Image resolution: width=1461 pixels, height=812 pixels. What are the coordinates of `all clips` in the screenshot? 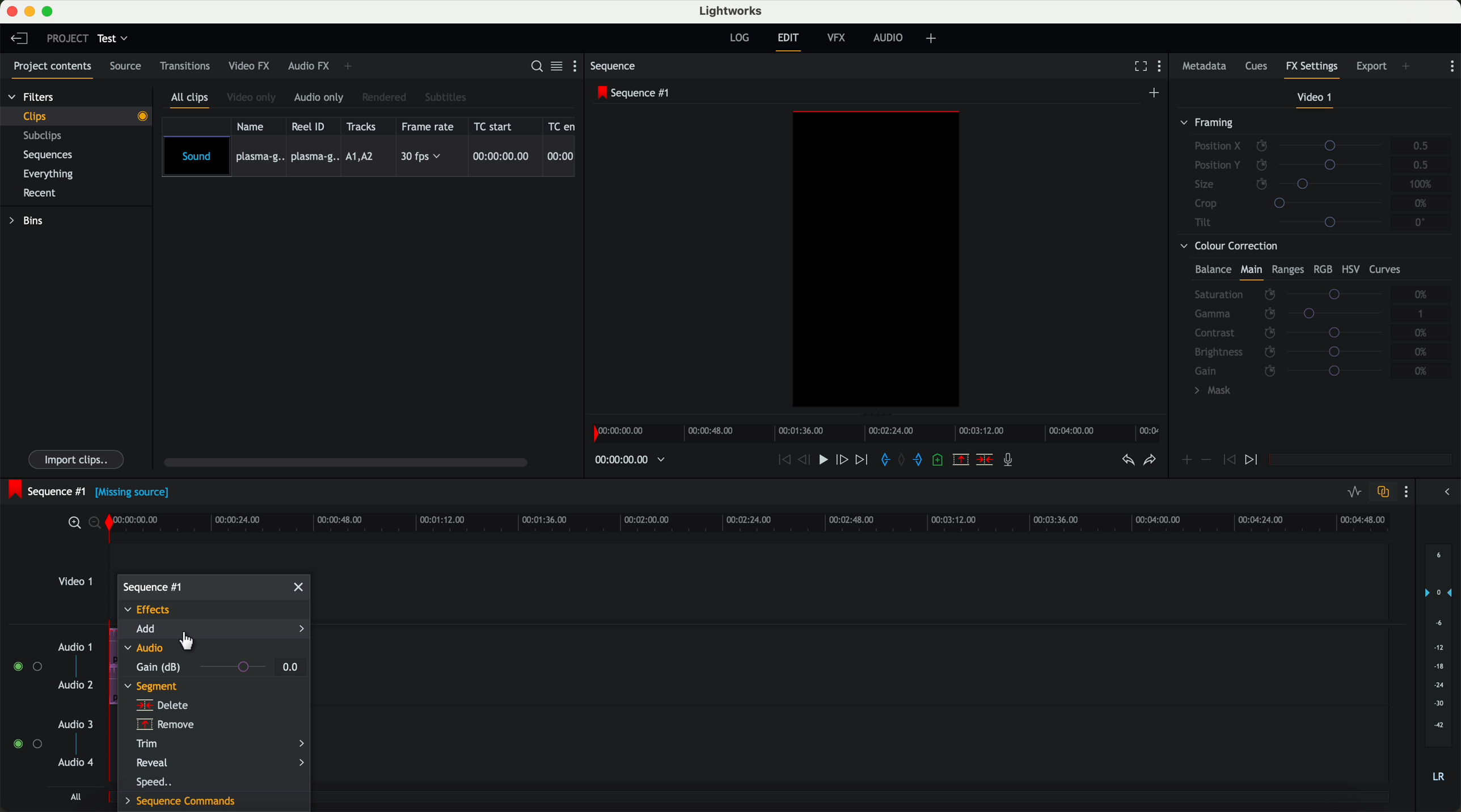 It's located at (192, 99).